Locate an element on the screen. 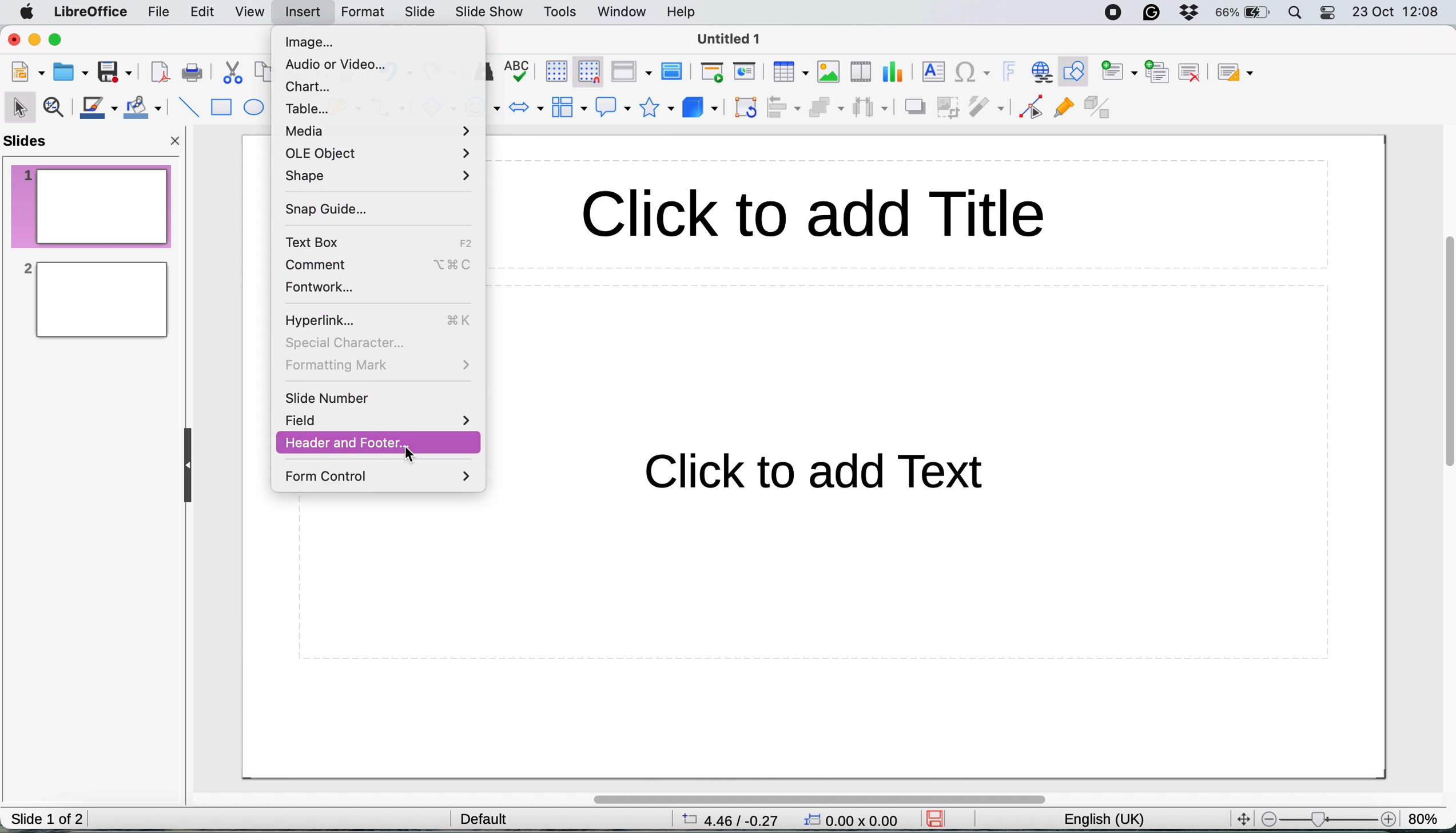 This screenshot has width=1456, height=833. select three objects to distribute is located at coordinates (870, 109).